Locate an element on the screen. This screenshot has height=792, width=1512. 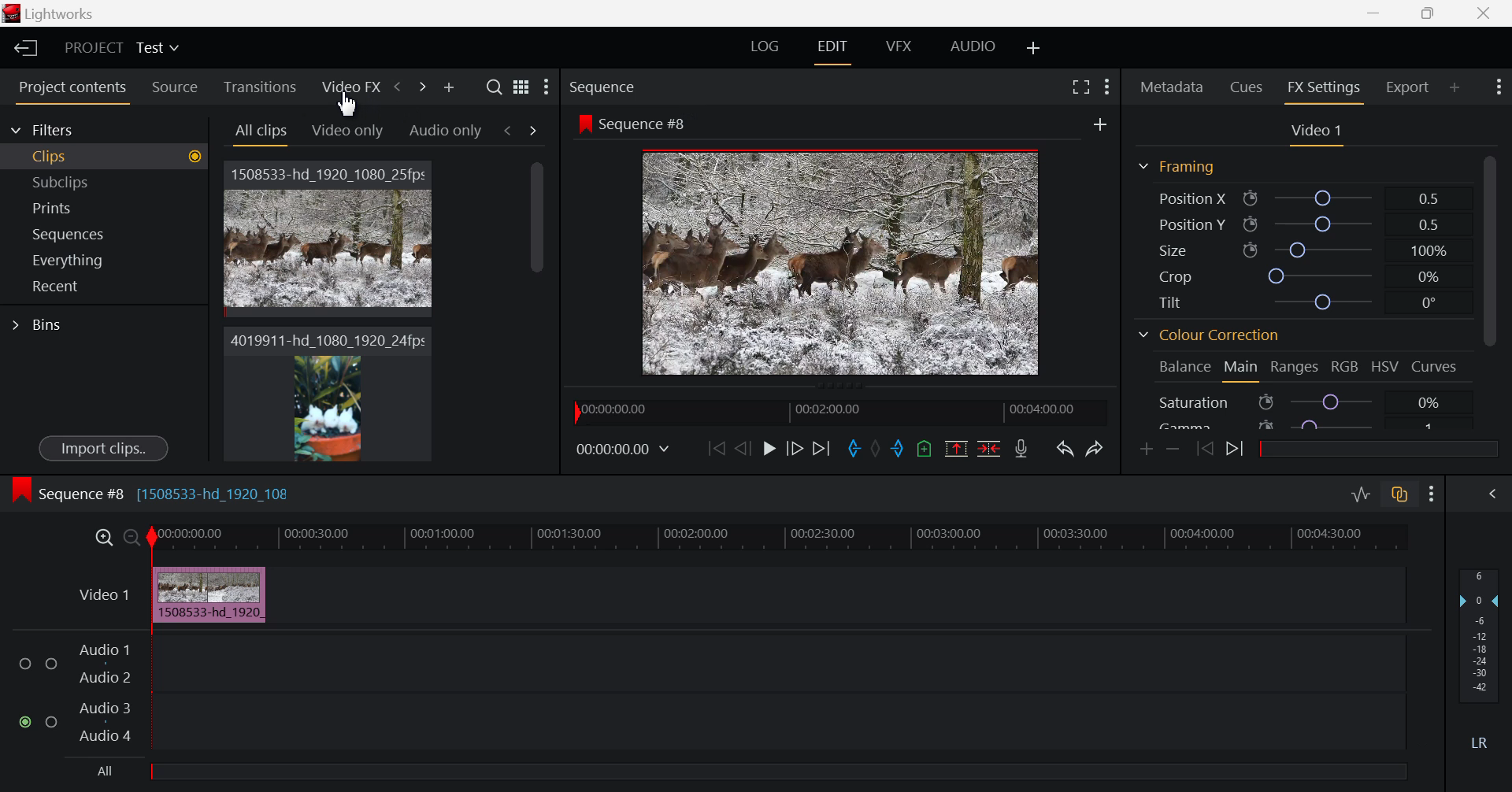
FX Settings Open is located at coordinates (1324, 91).